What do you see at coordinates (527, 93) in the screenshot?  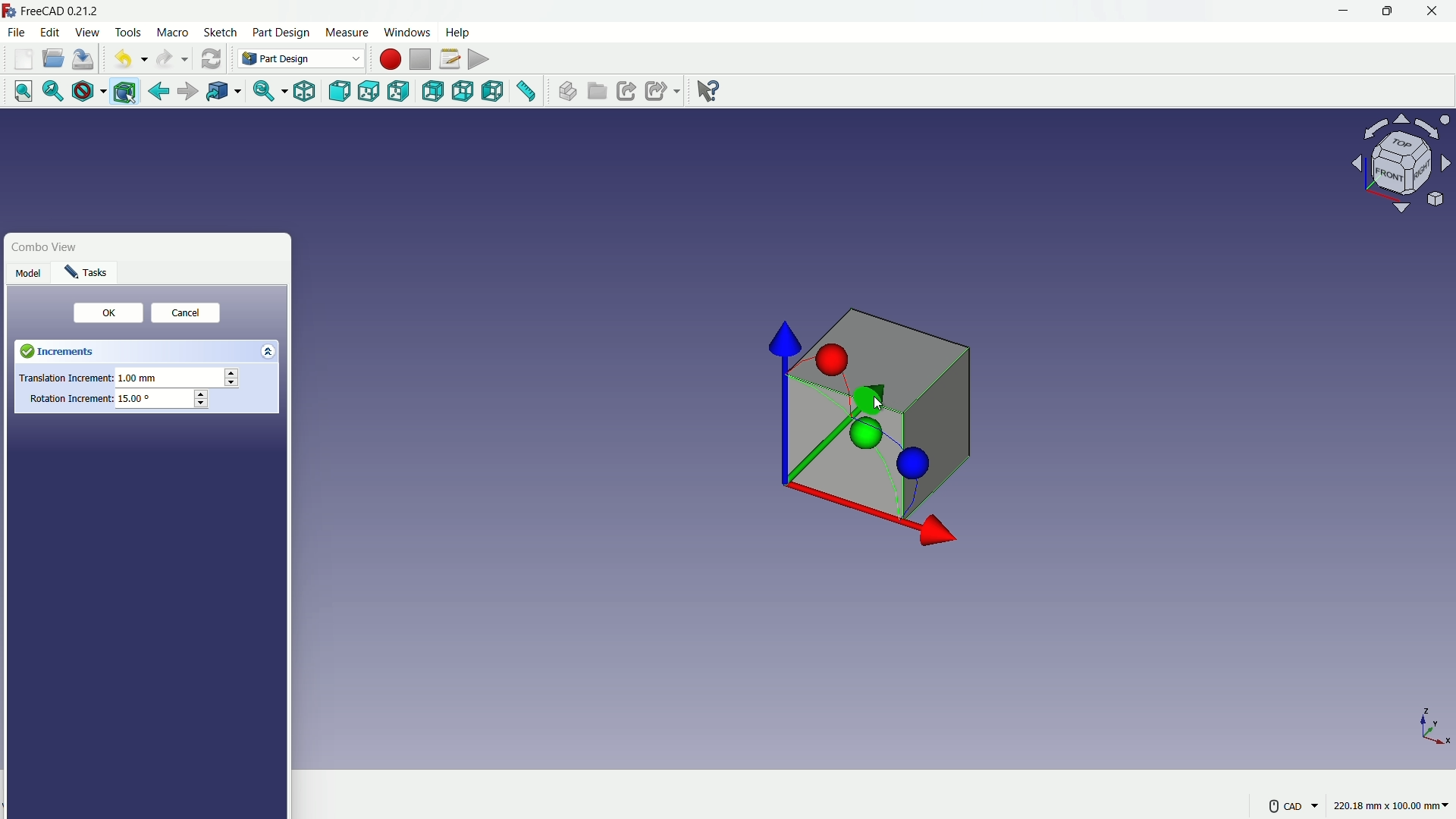 I see `measure` at bounding box center [527, 93].